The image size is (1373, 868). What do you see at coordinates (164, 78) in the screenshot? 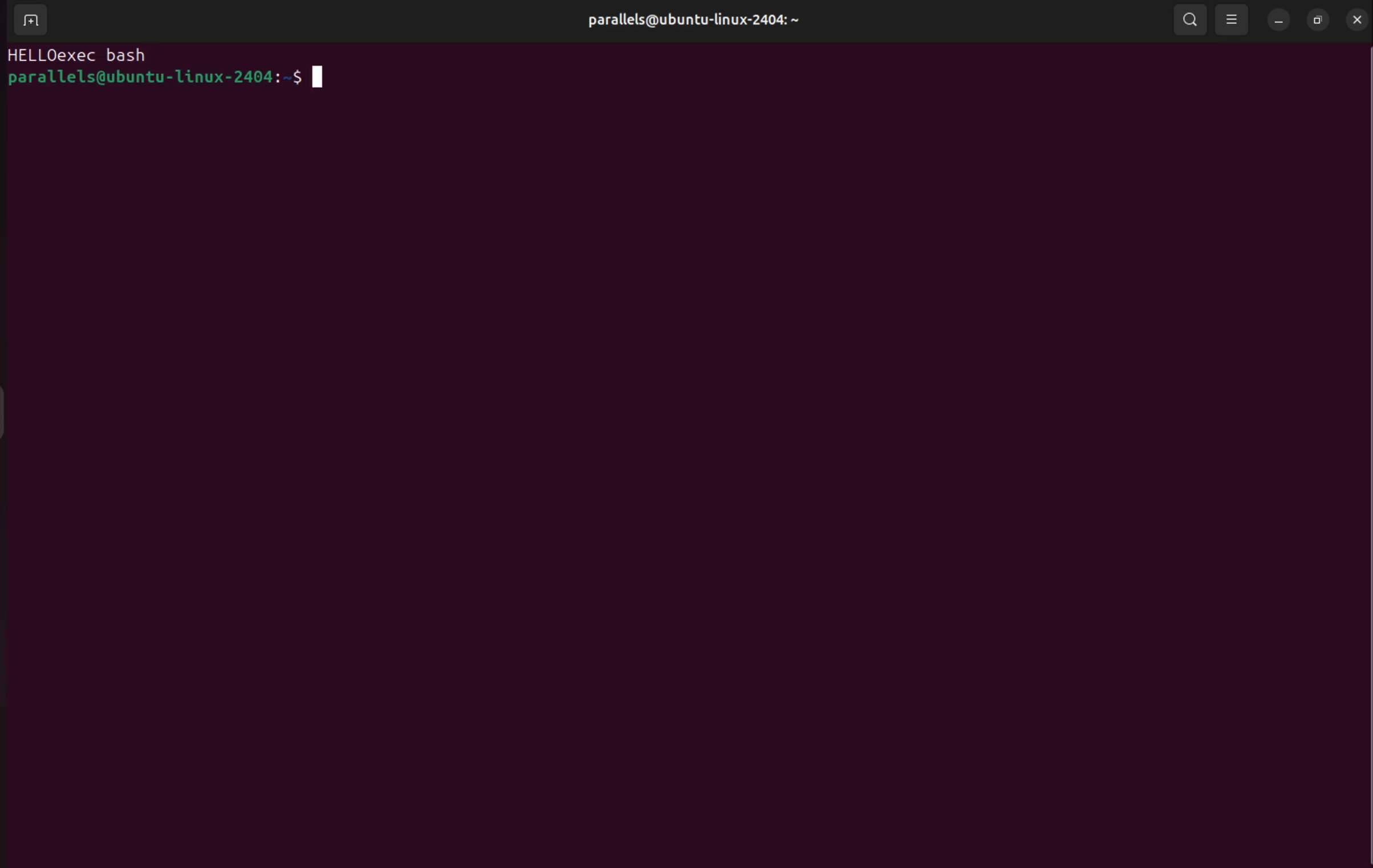
I see `bash prompt` at bounding box center [164, 78].